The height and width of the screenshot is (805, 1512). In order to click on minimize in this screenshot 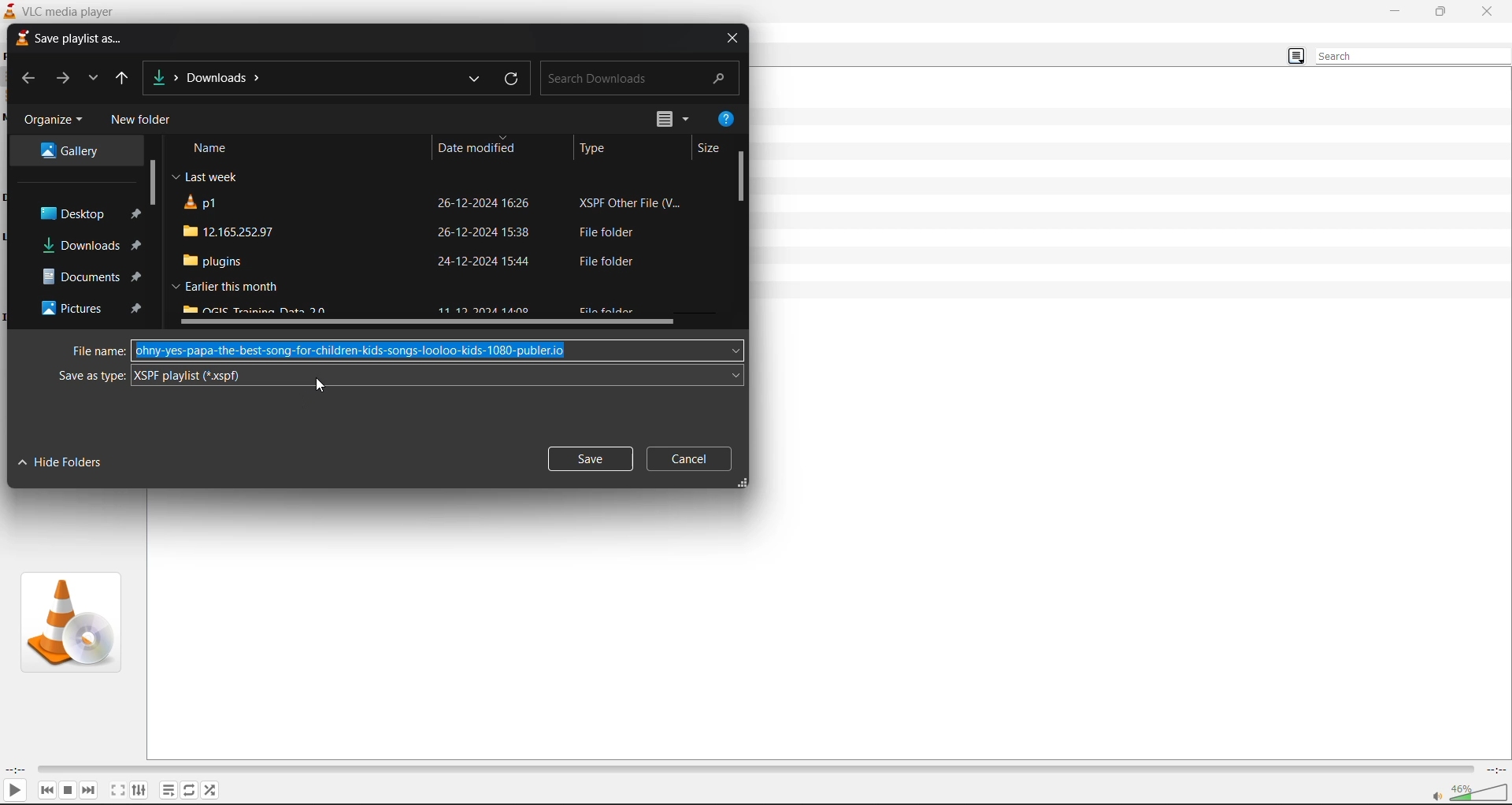, I will do `click(1392, 10)`.